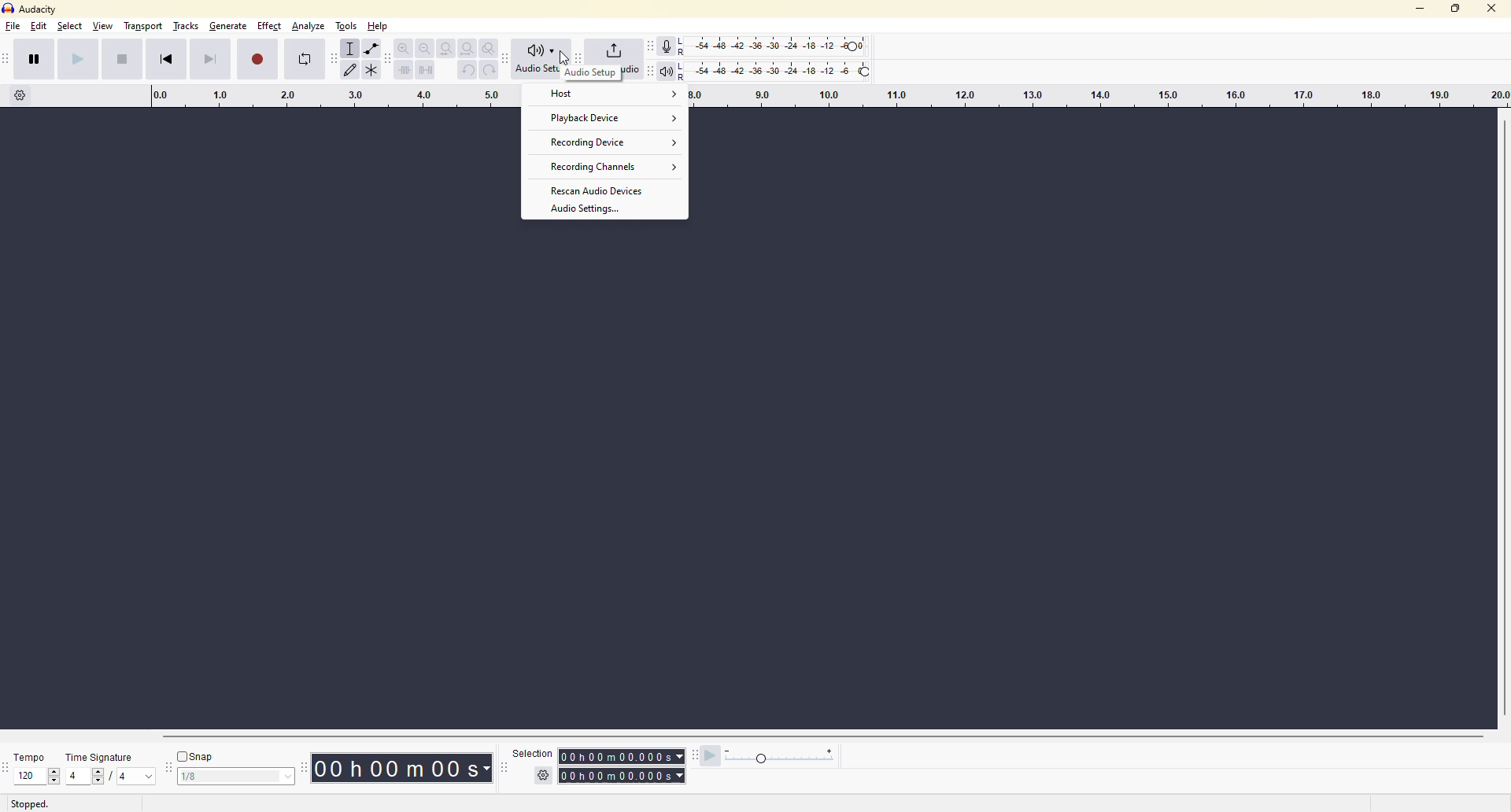 The image size is (1511, 812). I want to click on share audio, so click(612, 50).